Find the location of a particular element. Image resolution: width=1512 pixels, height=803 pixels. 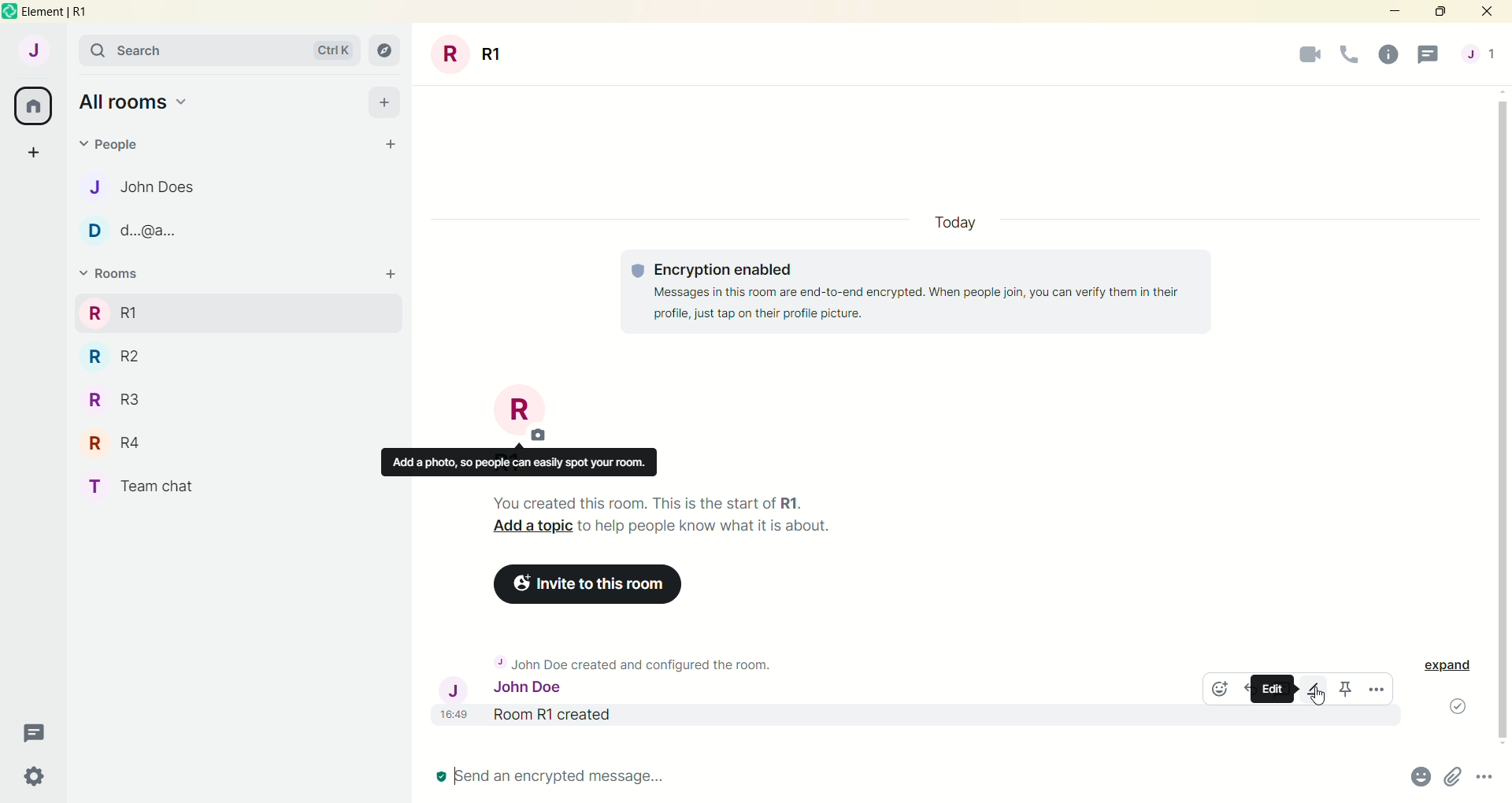

to help people know what is about. is located at coordinates (712, 527).